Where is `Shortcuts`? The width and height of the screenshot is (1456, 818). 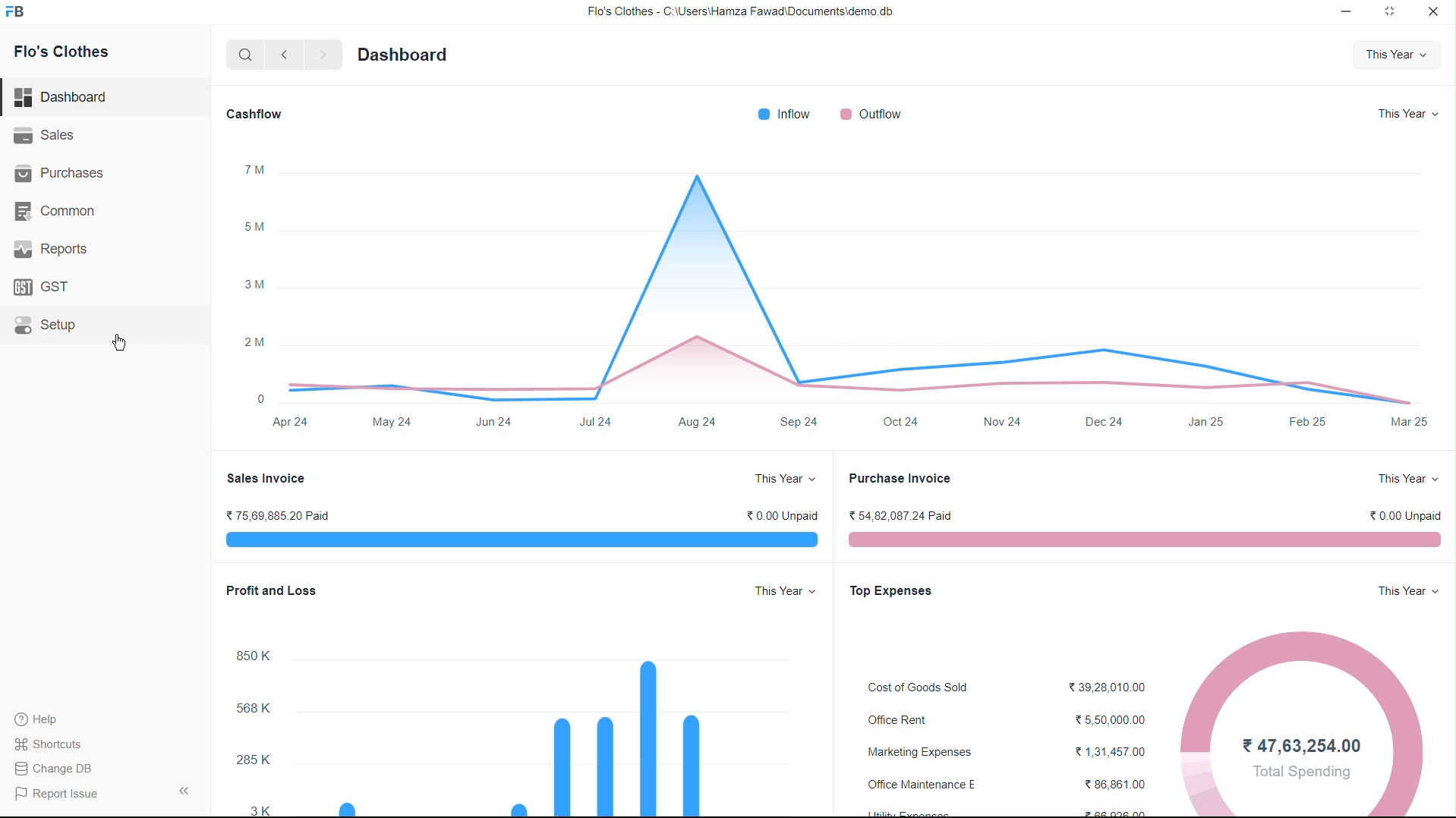 Shortcuts is located at coordinates (57, 743).